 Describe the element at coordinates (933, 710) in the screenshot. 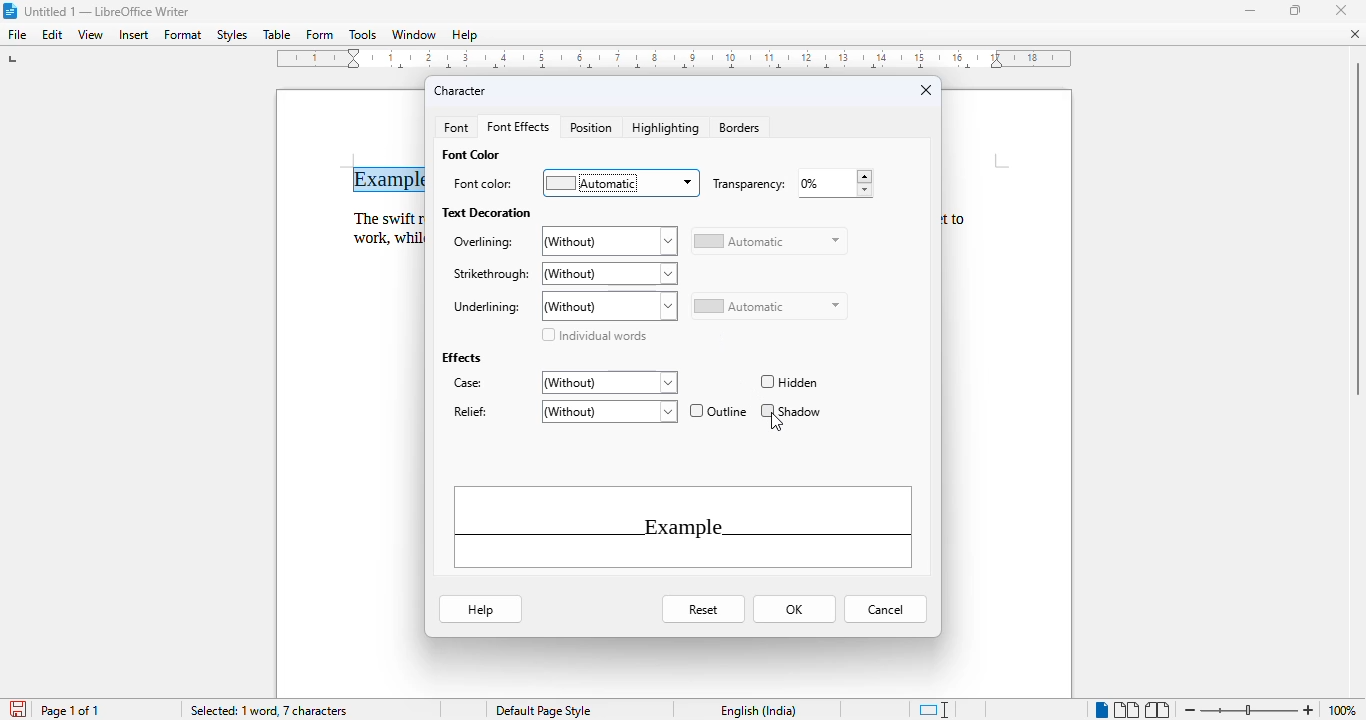

I see `standard selection` at that location.